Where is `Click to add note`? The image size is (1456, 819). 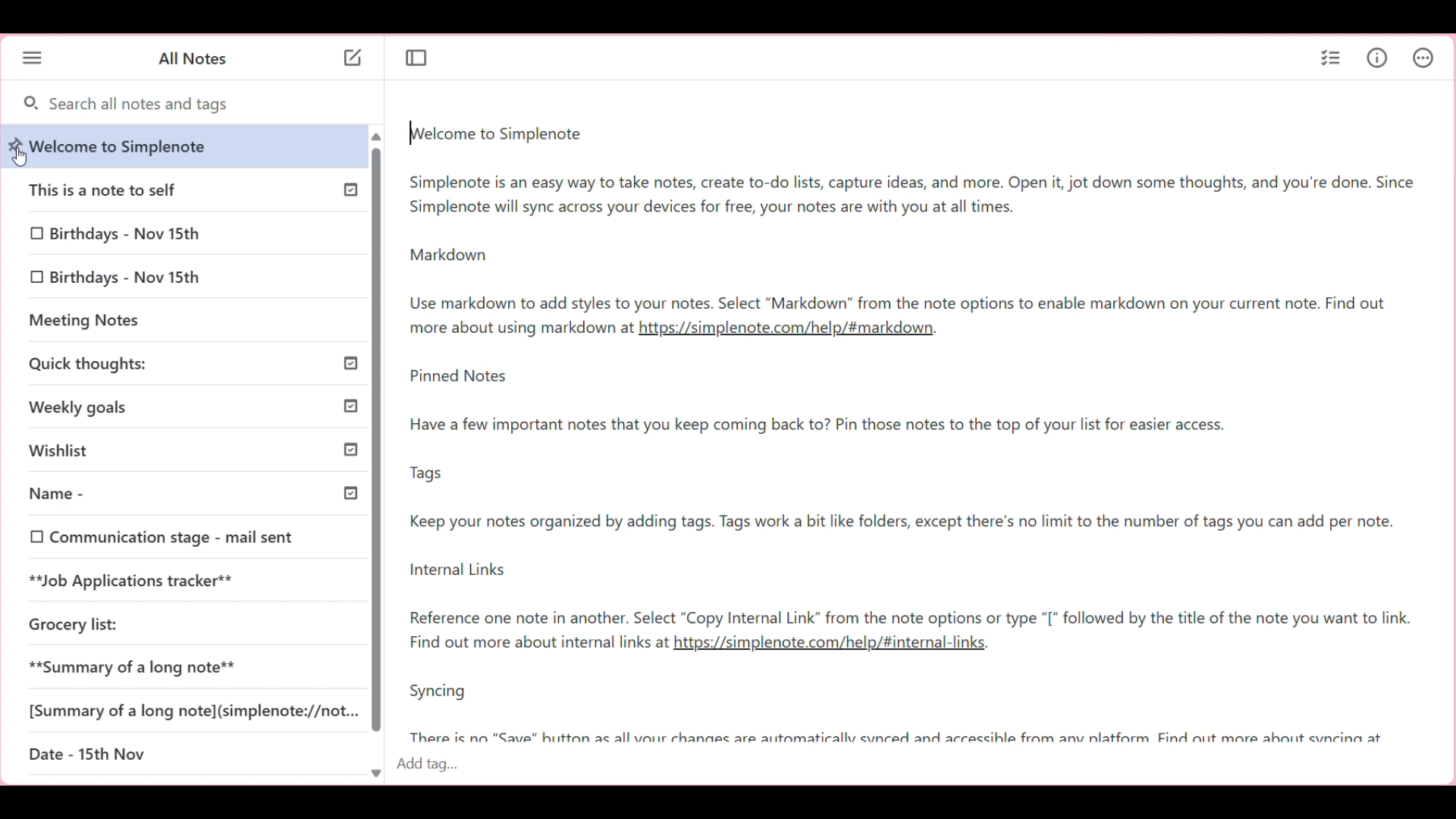
Click to add note is located at coordinates (353, 58).